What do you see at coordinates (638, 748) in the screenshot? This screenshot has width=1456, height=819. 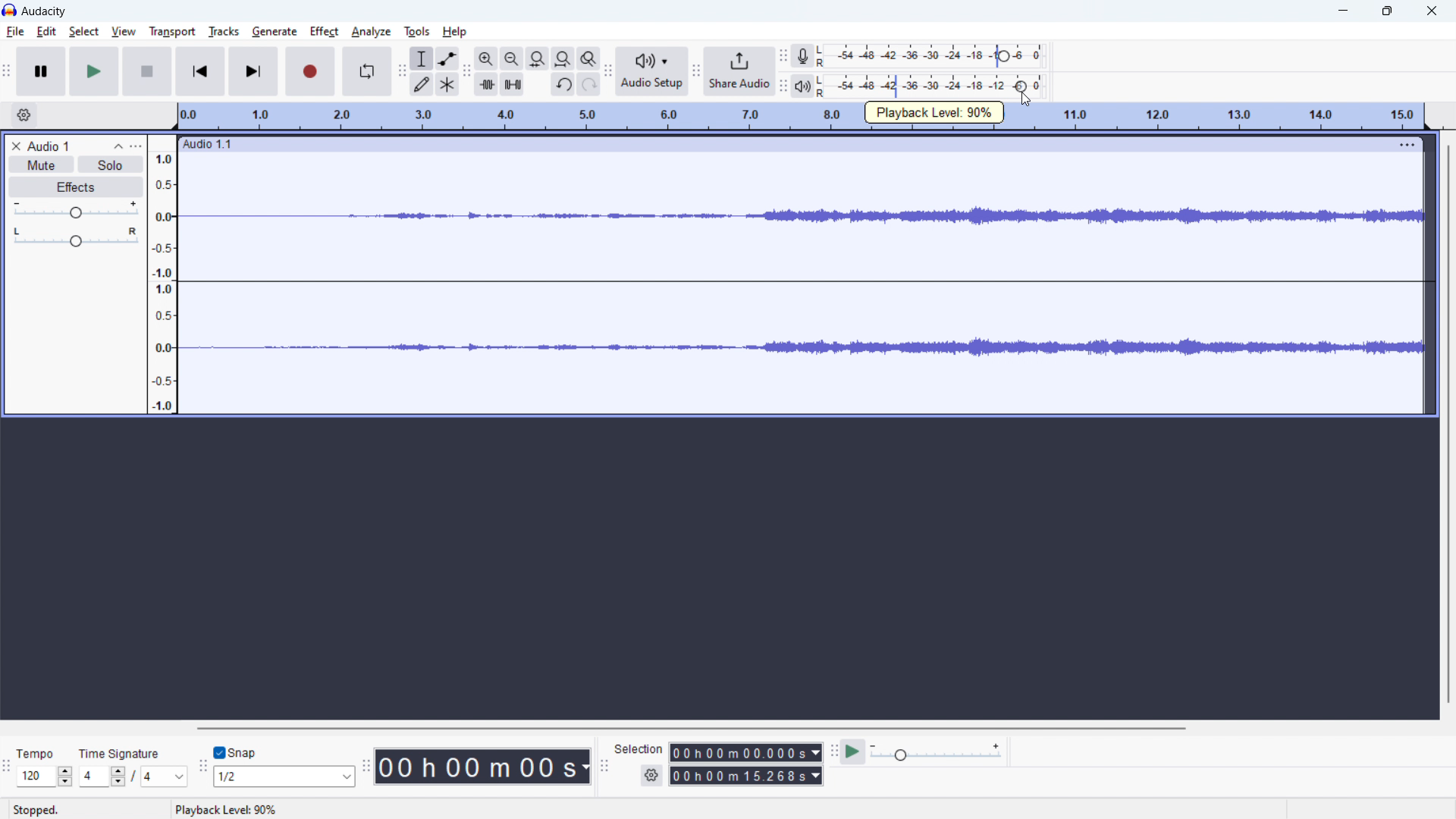 I see `selection` at bounding box center [638, 748].